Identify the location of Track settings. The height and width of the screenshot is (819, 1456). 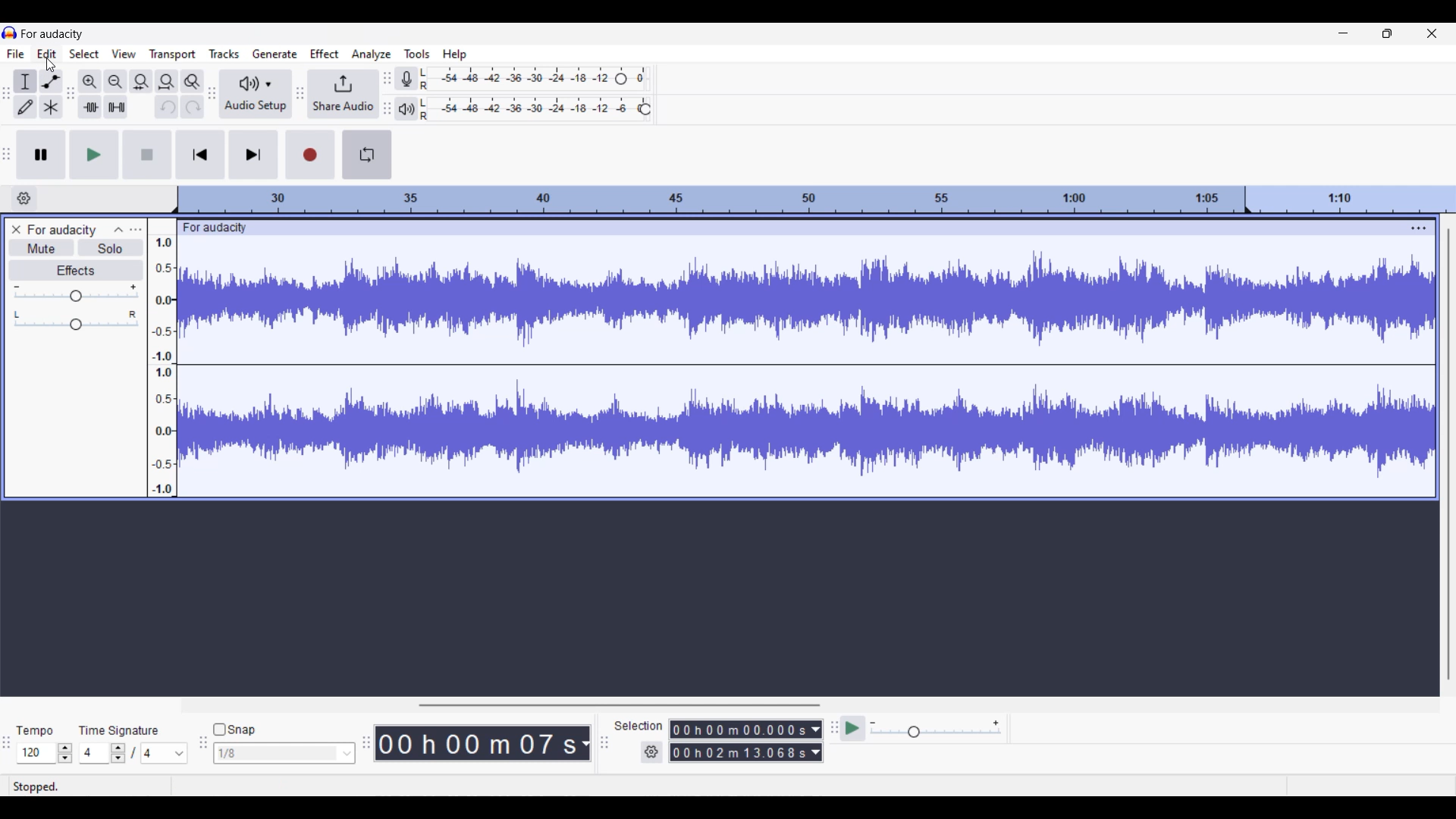
(1420, 227).